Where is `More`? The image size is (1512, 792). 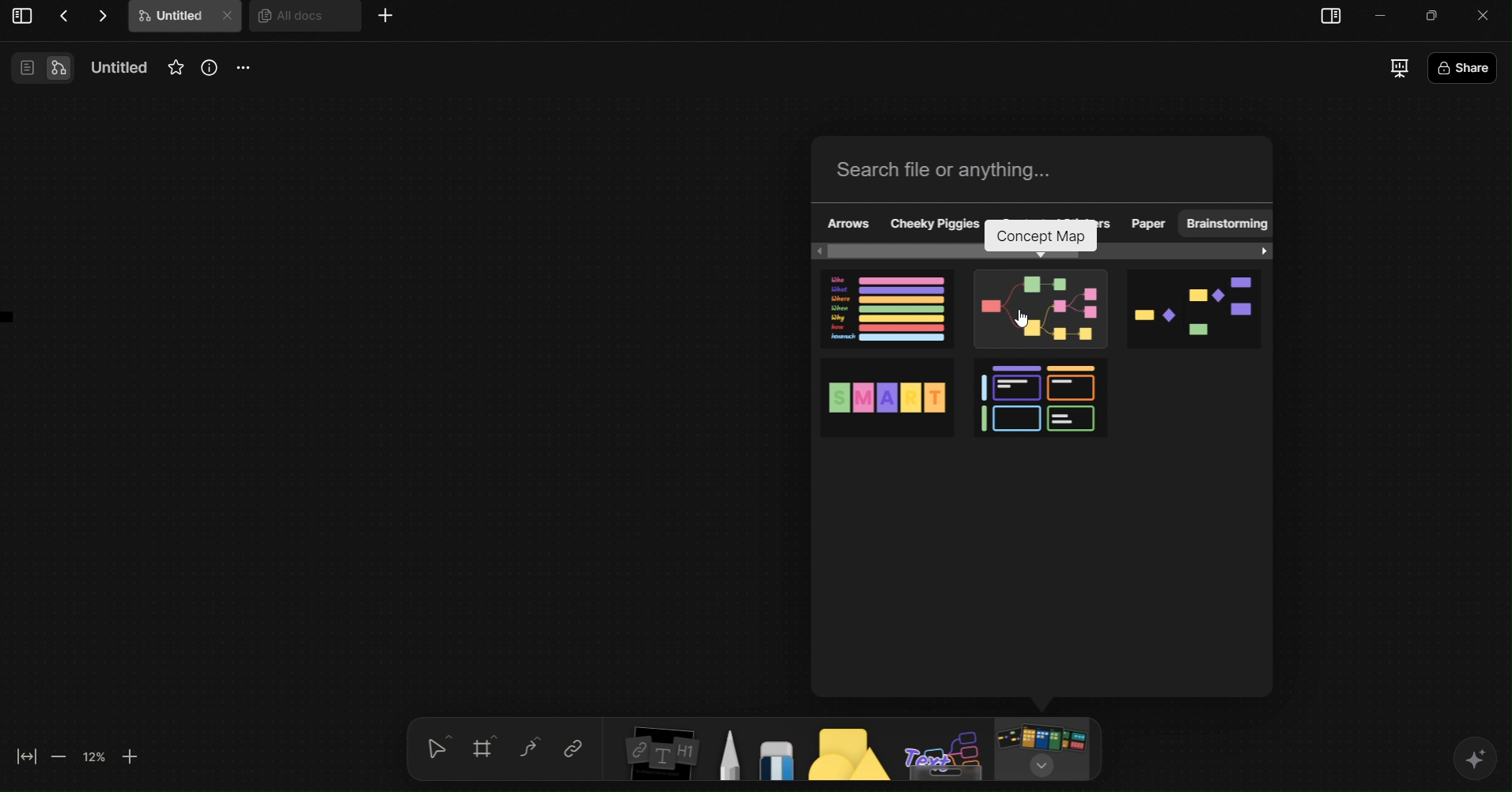
More is located at coordinates (386, 17).